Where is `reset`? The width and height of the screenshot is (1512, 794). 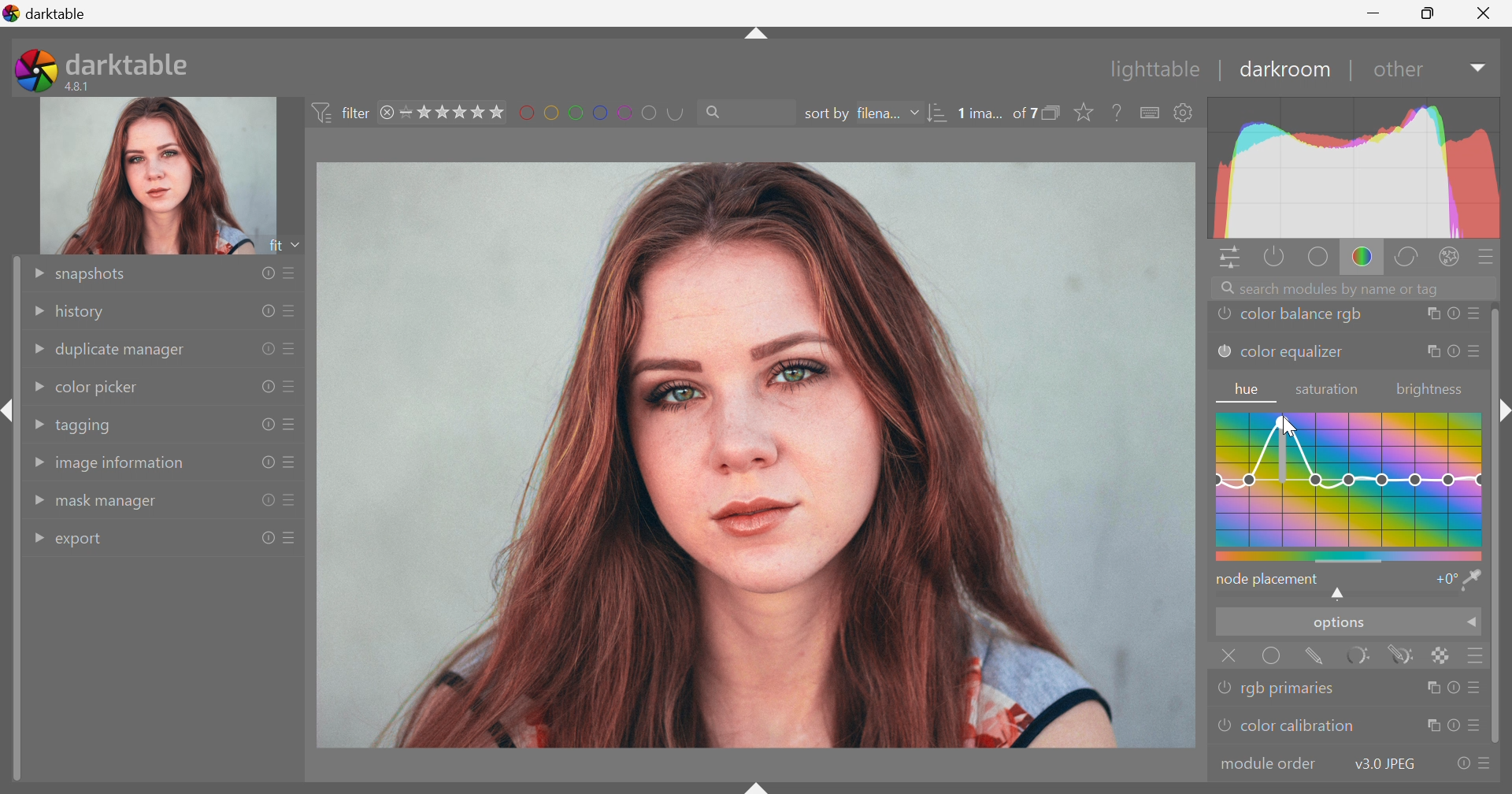 reset is located at coordinates (267, 309).